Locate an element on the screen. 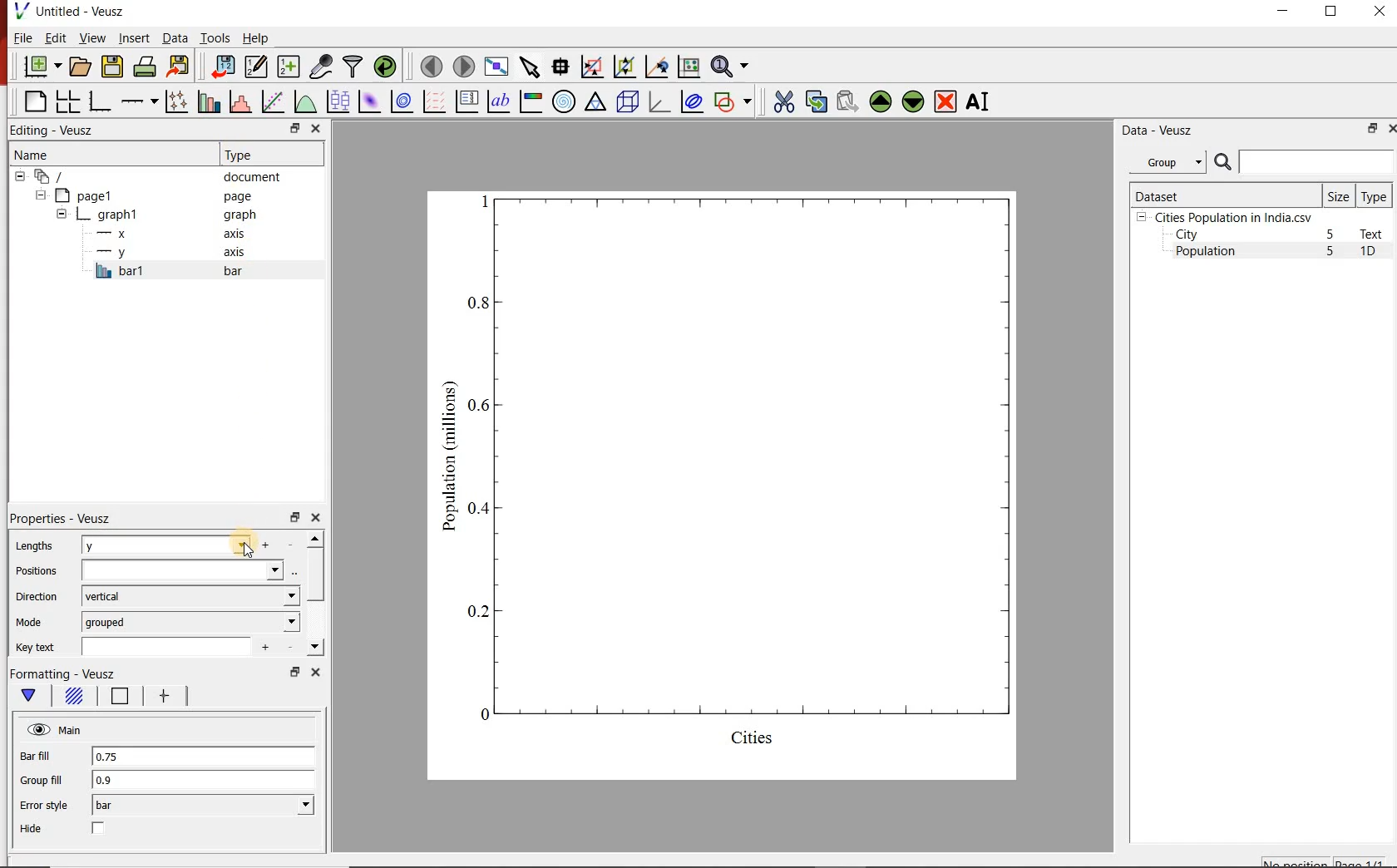 Image resolution: width=1397 pixels, height=868 pixels. save the document is located at coordinates (112, 65).